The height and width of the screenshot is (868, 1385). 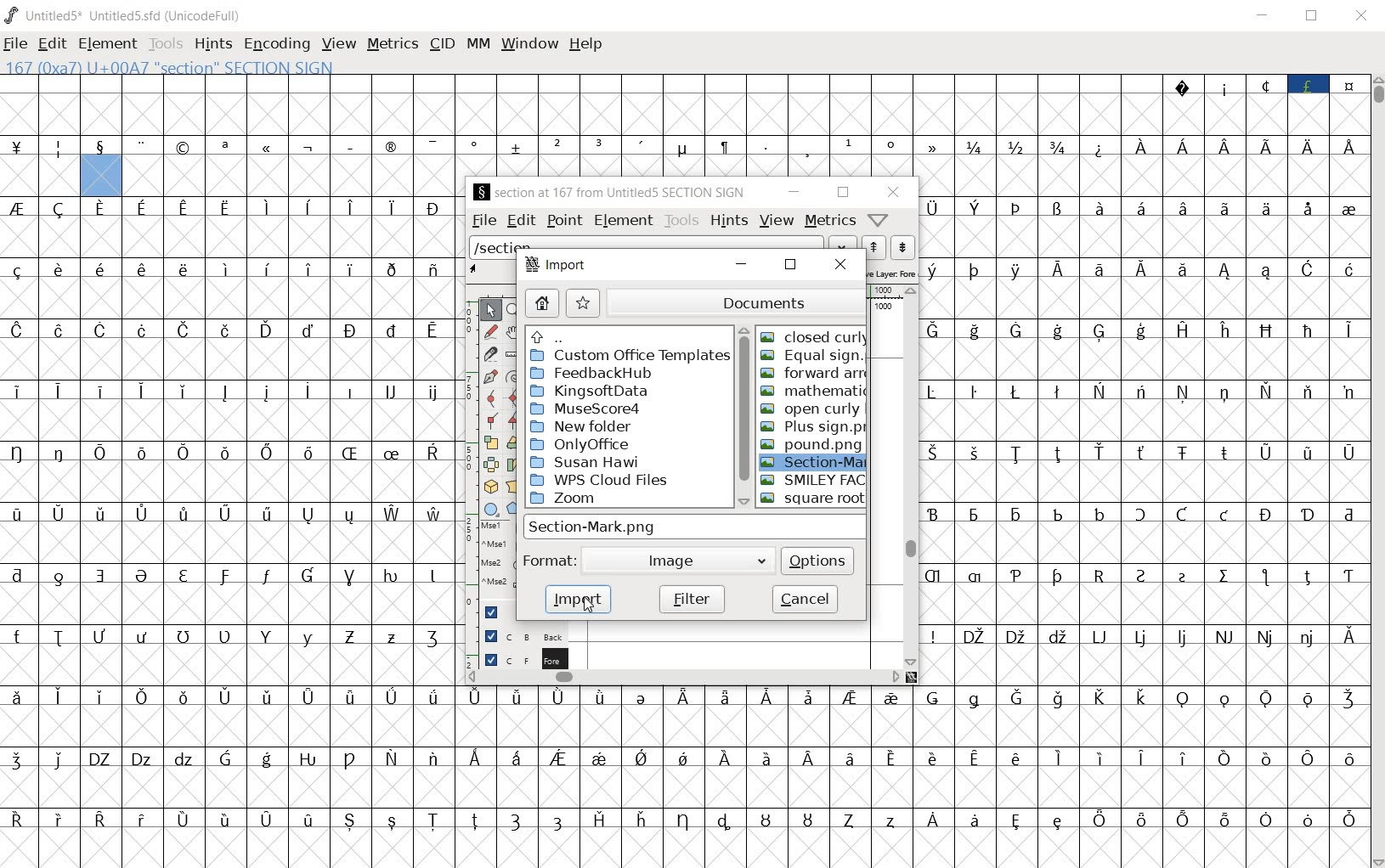 I want to click on FORWARD ARR., so click(x=813, y=374).